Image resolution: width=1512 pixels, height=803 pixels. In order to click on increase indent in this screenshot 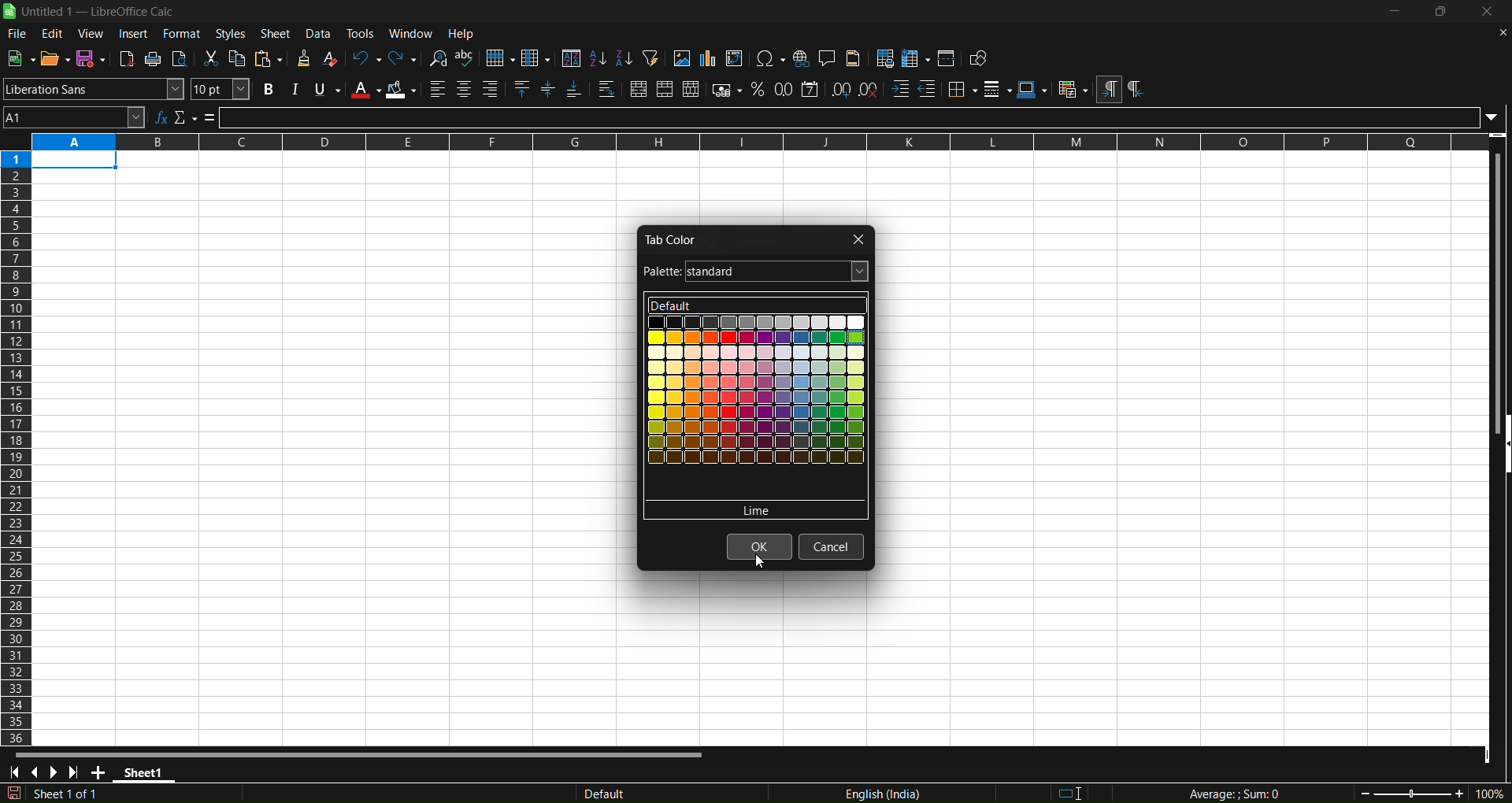, I will do `click(900, 90)`.